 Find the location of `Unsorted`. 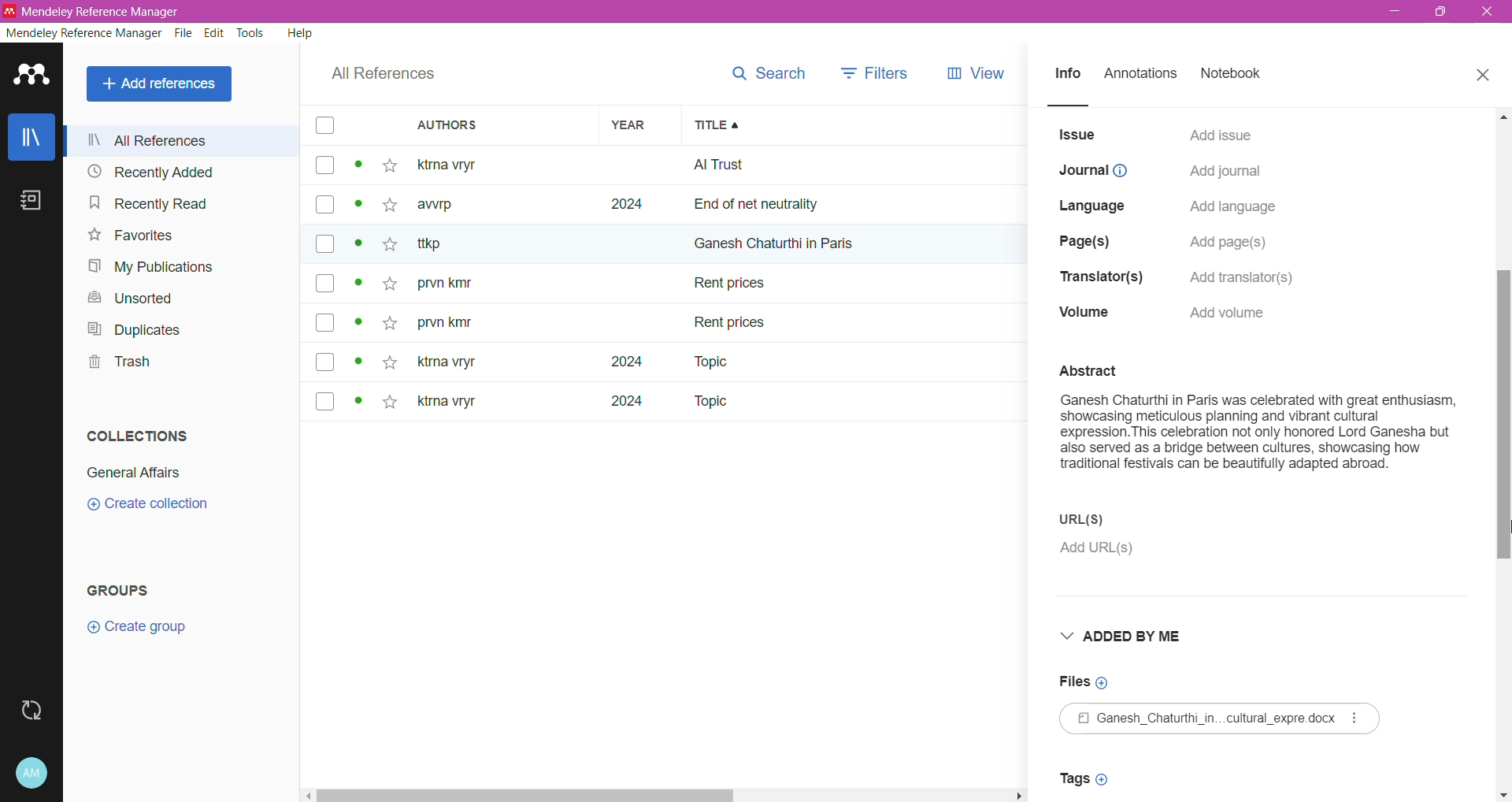

Unsorted is located at coordinates (126, 297).